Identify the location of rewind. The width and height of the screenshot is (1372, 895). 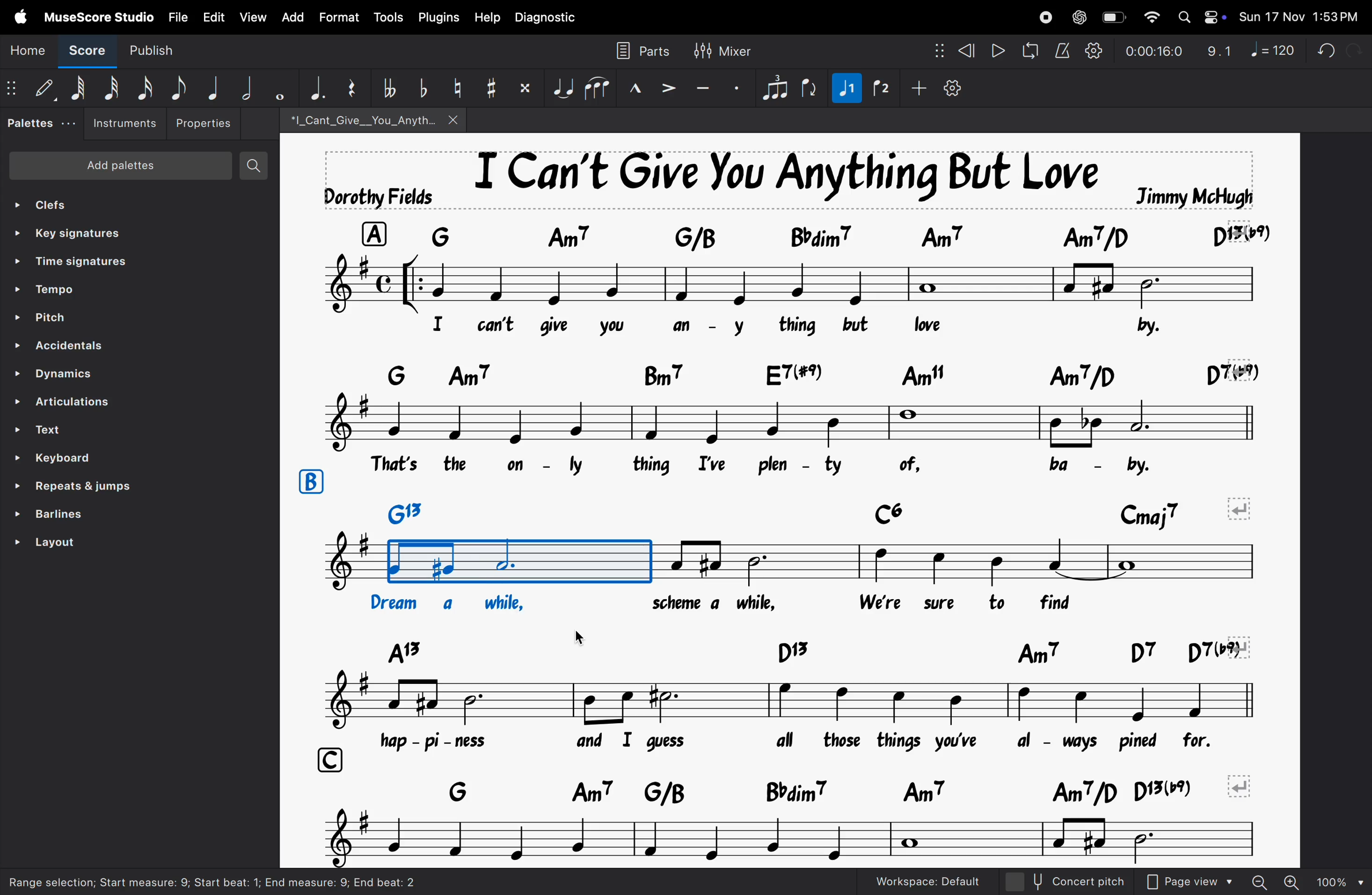
(966, 49).